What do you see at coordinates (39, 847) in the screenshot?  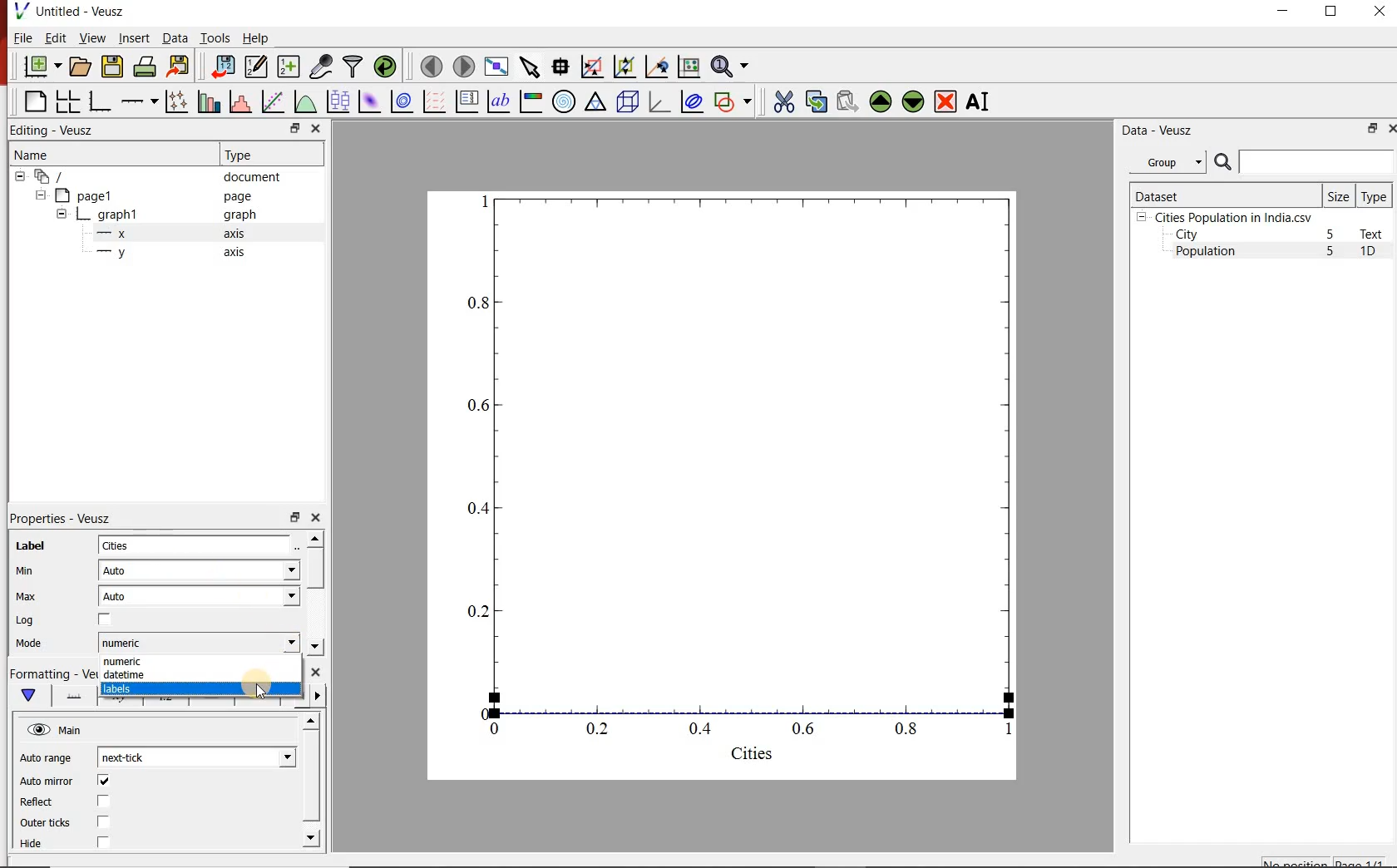 I see `Hide` at bounding box center [39, 847].